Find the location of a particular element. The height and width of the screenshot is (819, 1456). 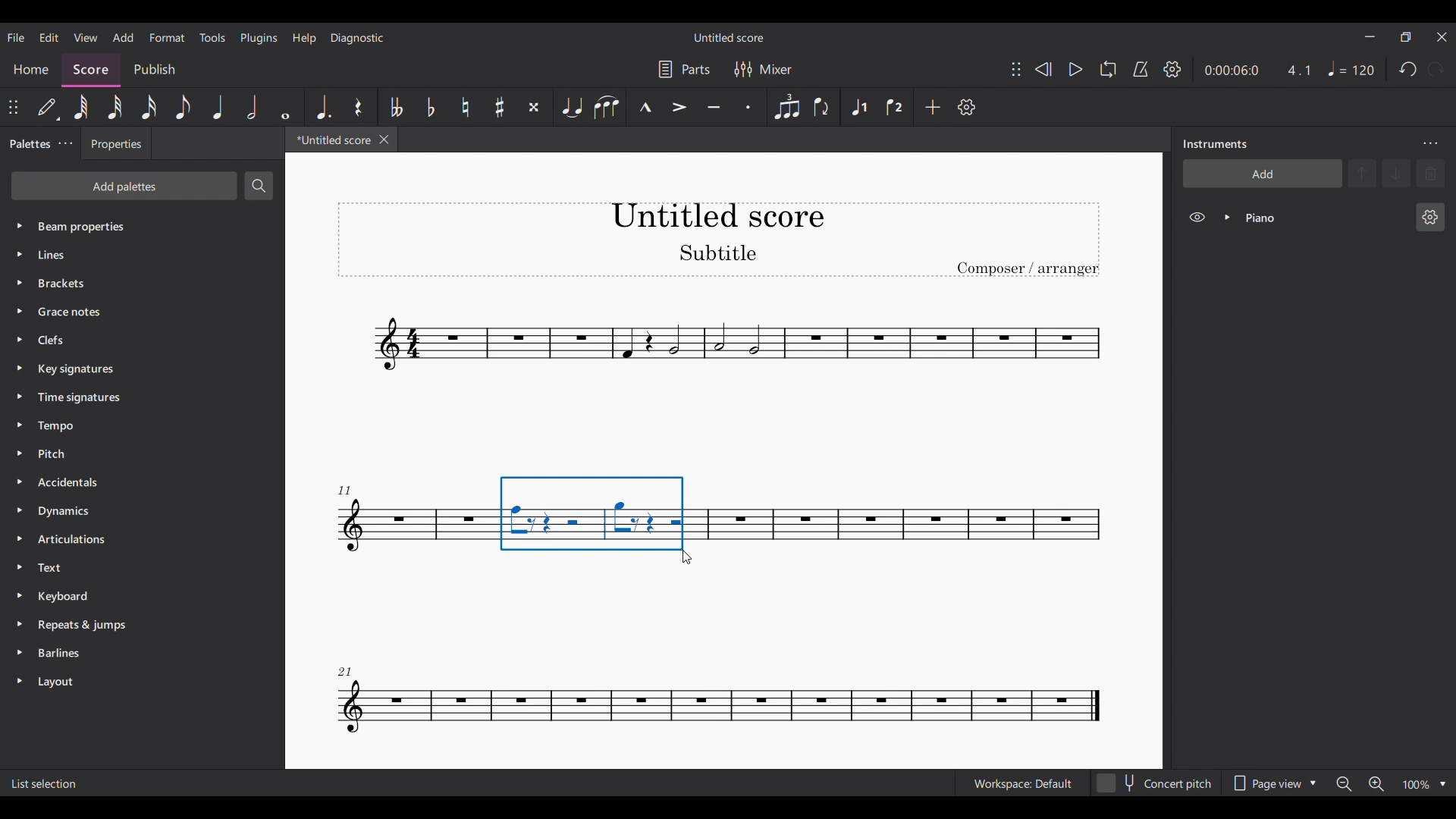

Zoom in is located at coordinates (1376, 784).